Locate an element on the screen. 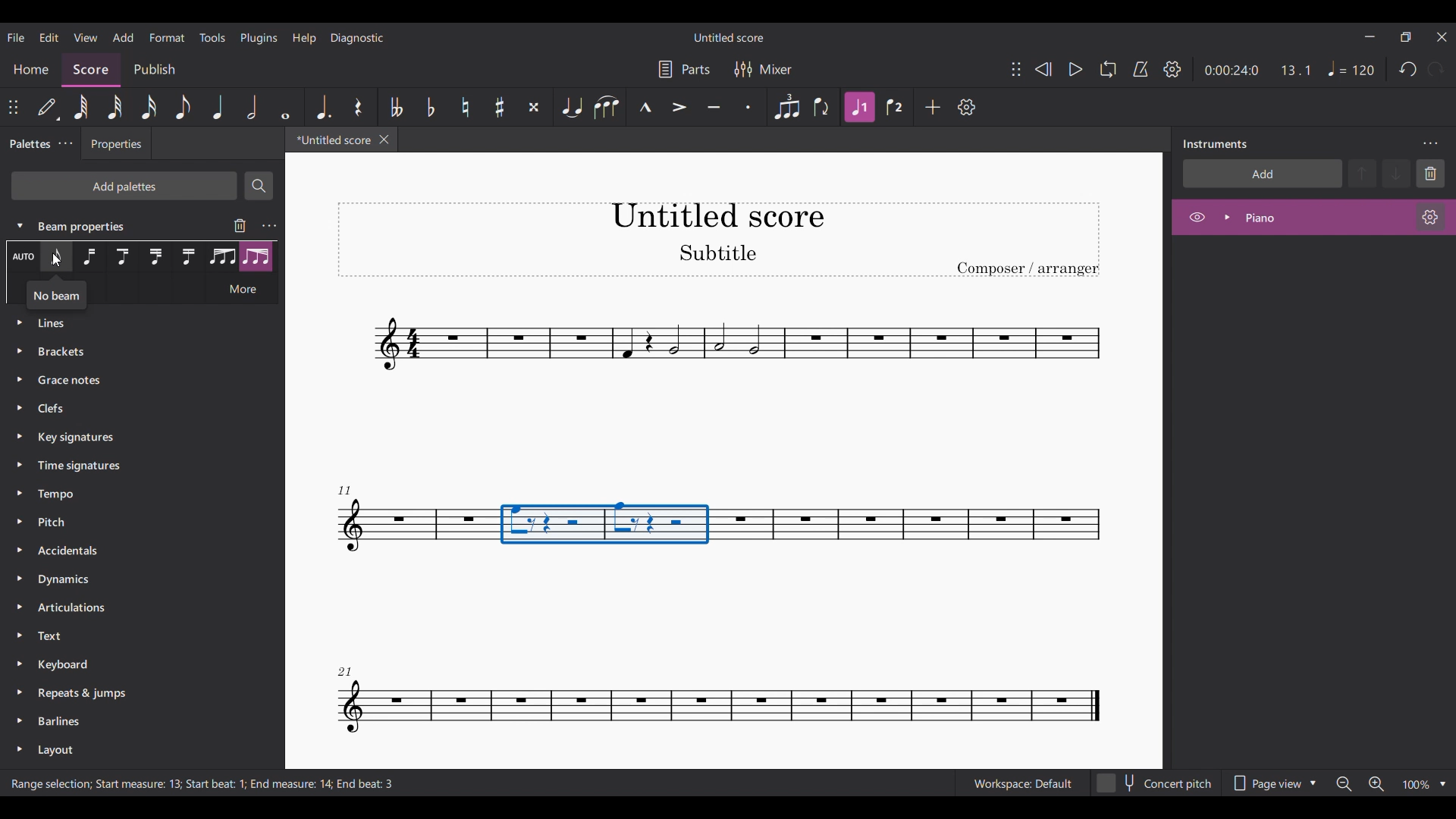 This screenshot has height=819, width=1456. Staccato is located at coordinates (748, 107).